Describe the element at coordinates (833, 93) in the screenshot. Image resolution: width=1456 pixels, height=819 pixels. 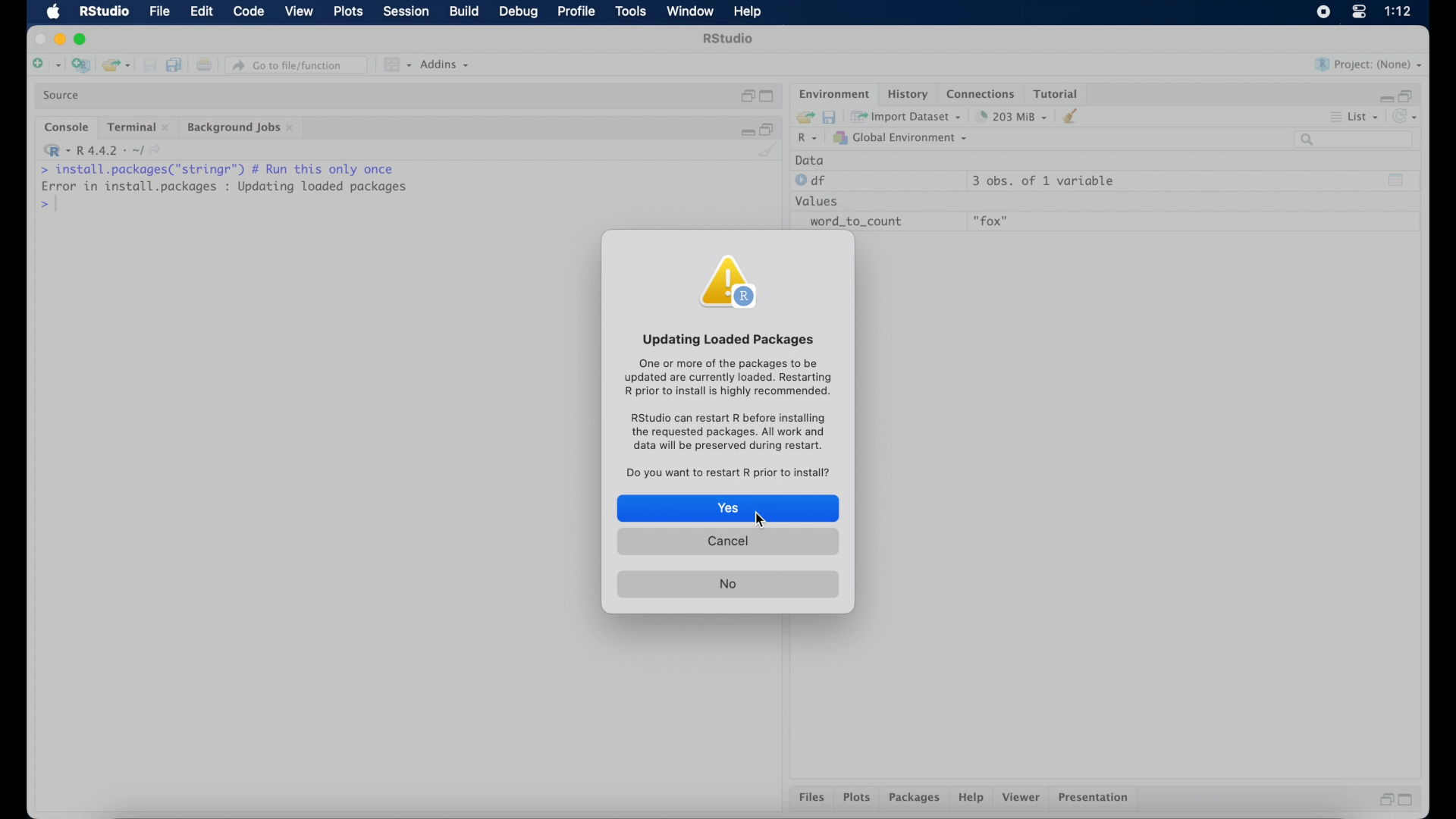
I see `environment` at that location.